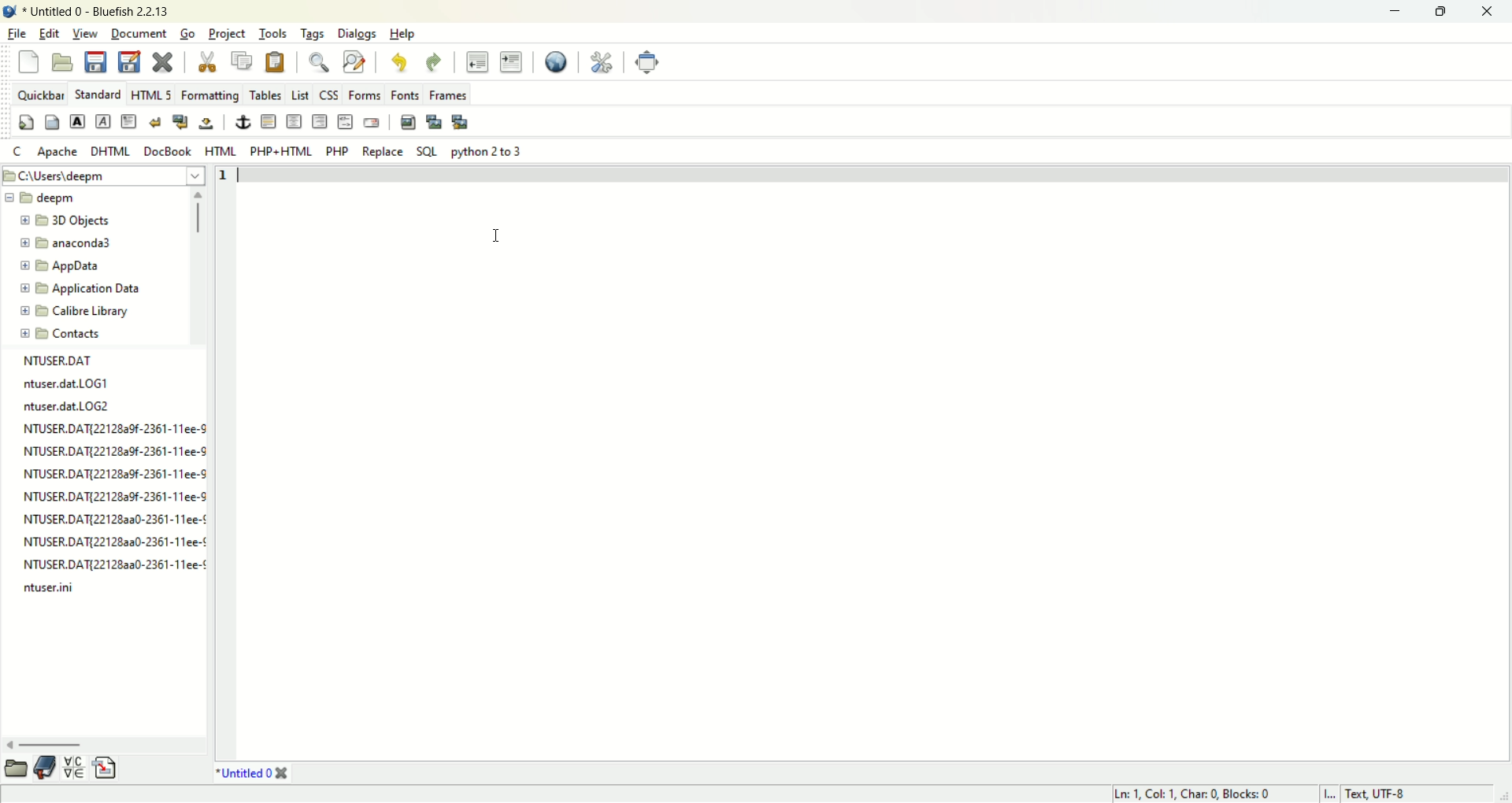 The width and height of the screenshot is (1512, 803). What do you see at coordinates (649, 62) in the screenshot?
I see `full screen` at bounding box center [649, 62].